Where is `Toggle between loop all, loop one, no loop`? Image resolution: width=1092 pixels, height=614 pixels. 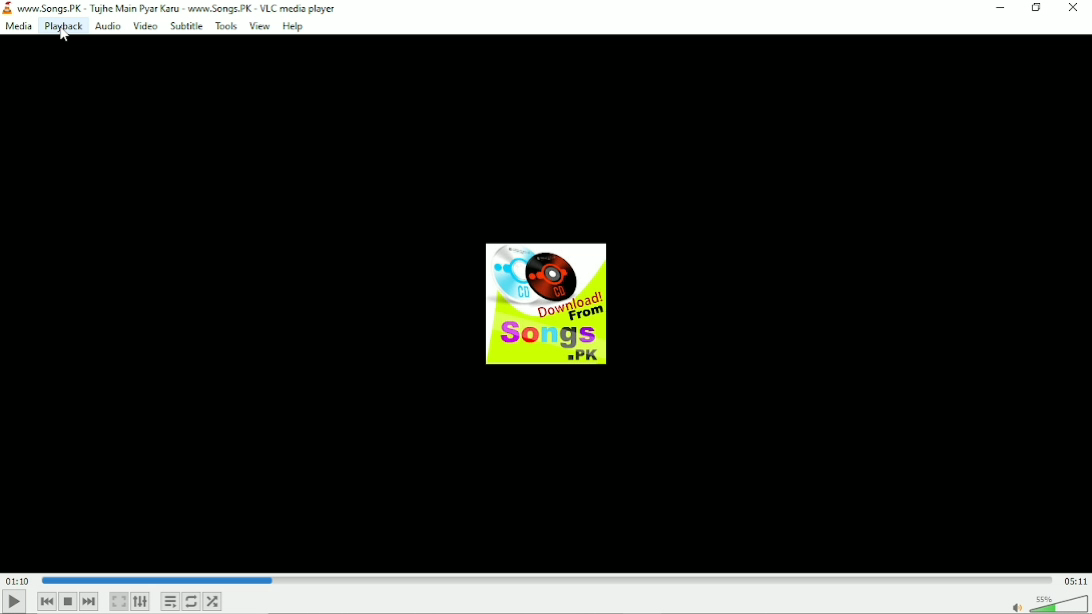
Toggle between loop all, loop one, no loop is located at coordinates (191, 601).